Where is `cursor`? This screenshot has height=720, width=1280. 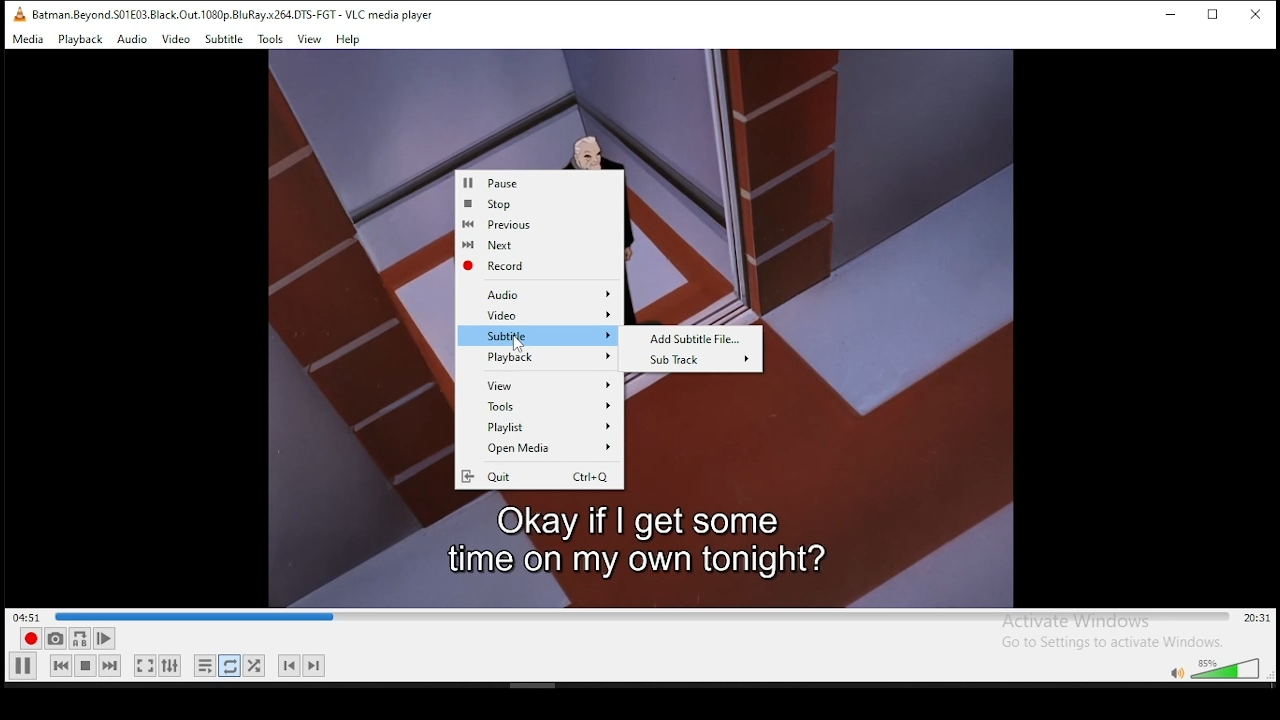
cursor is located at coordinates (520, 346).